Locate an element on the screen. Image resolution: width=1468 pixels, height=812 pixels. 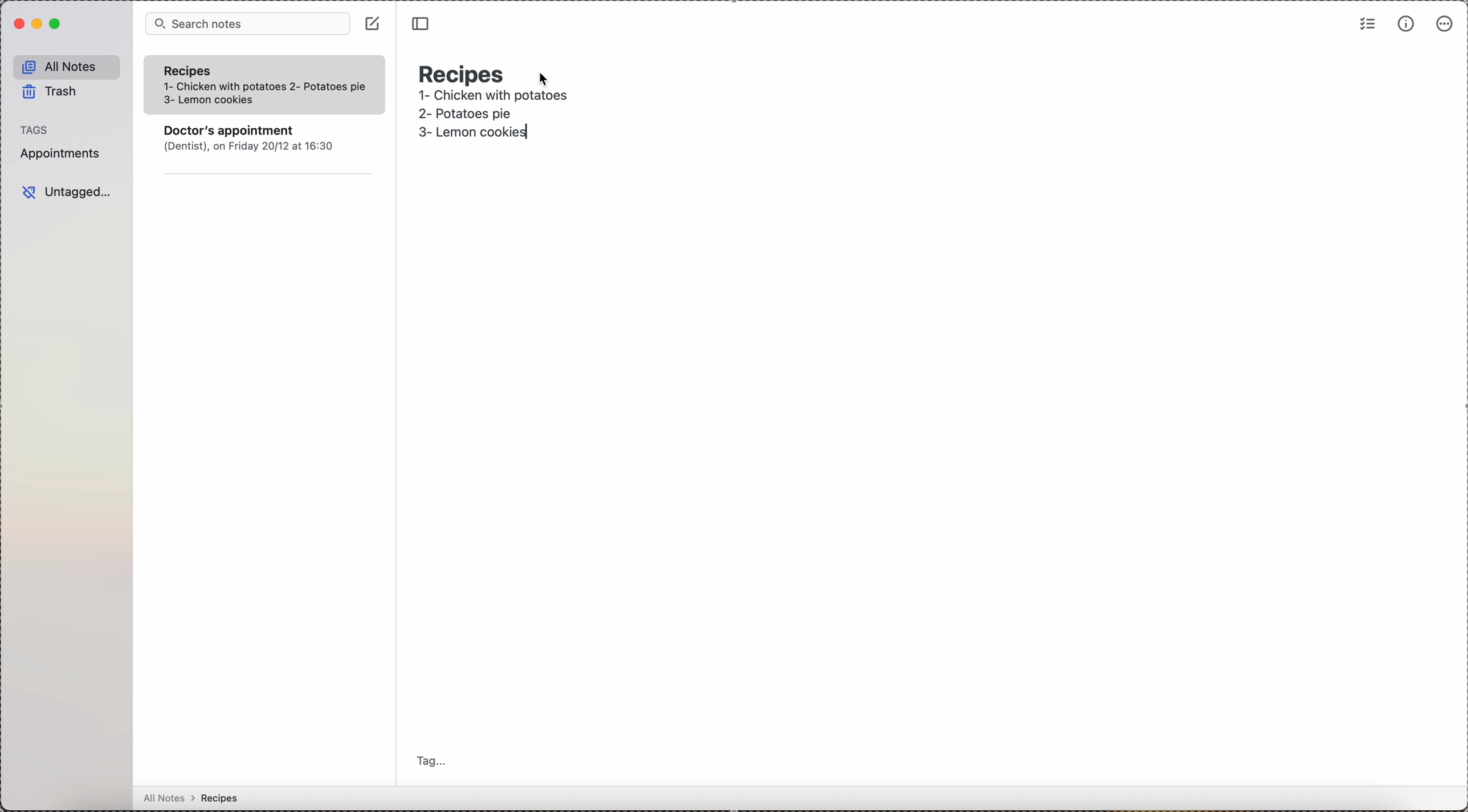
untagged is located at coordinates (64, 191).